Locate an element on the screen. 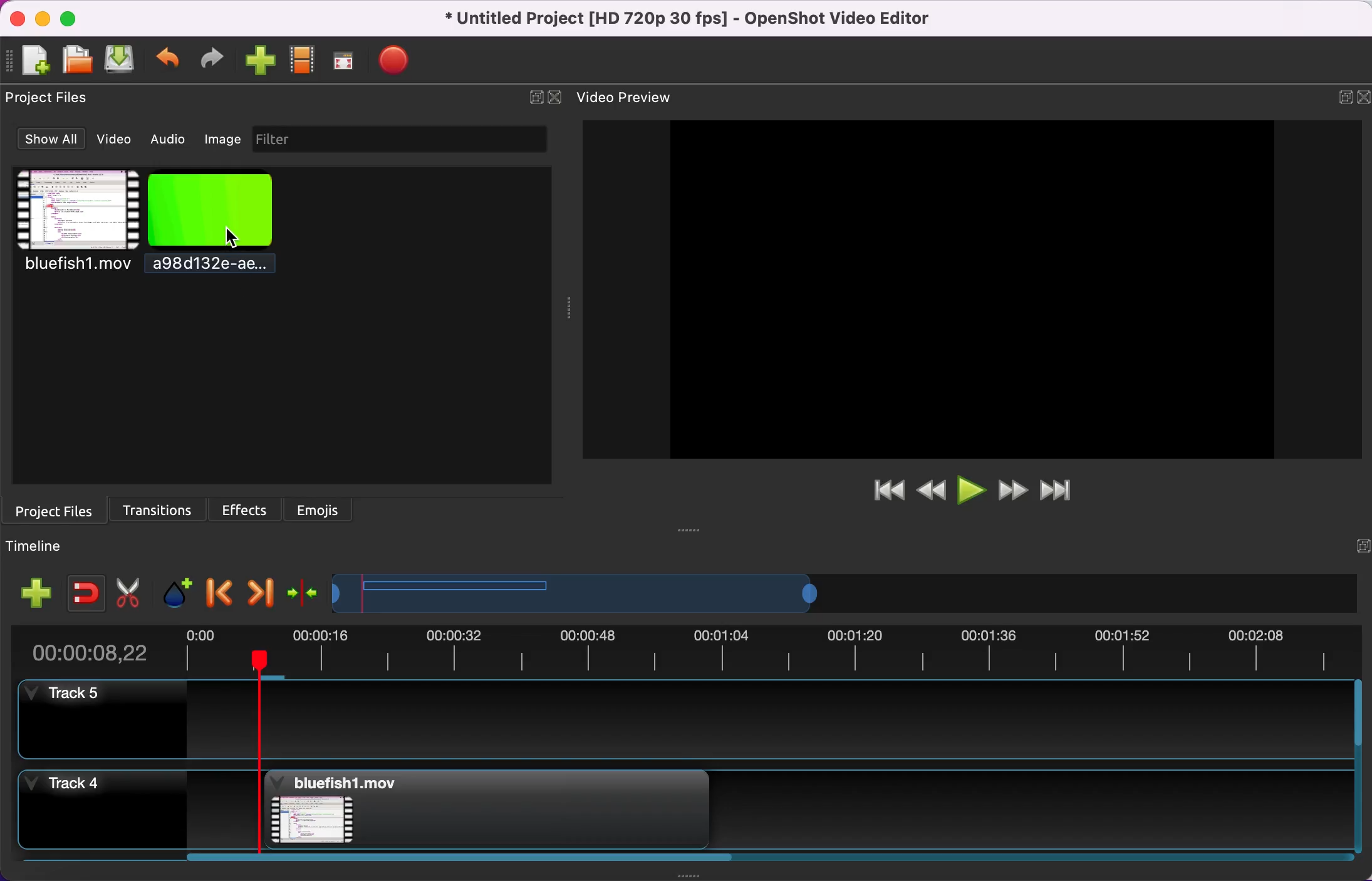  export file is located at coordinates (397, 63).